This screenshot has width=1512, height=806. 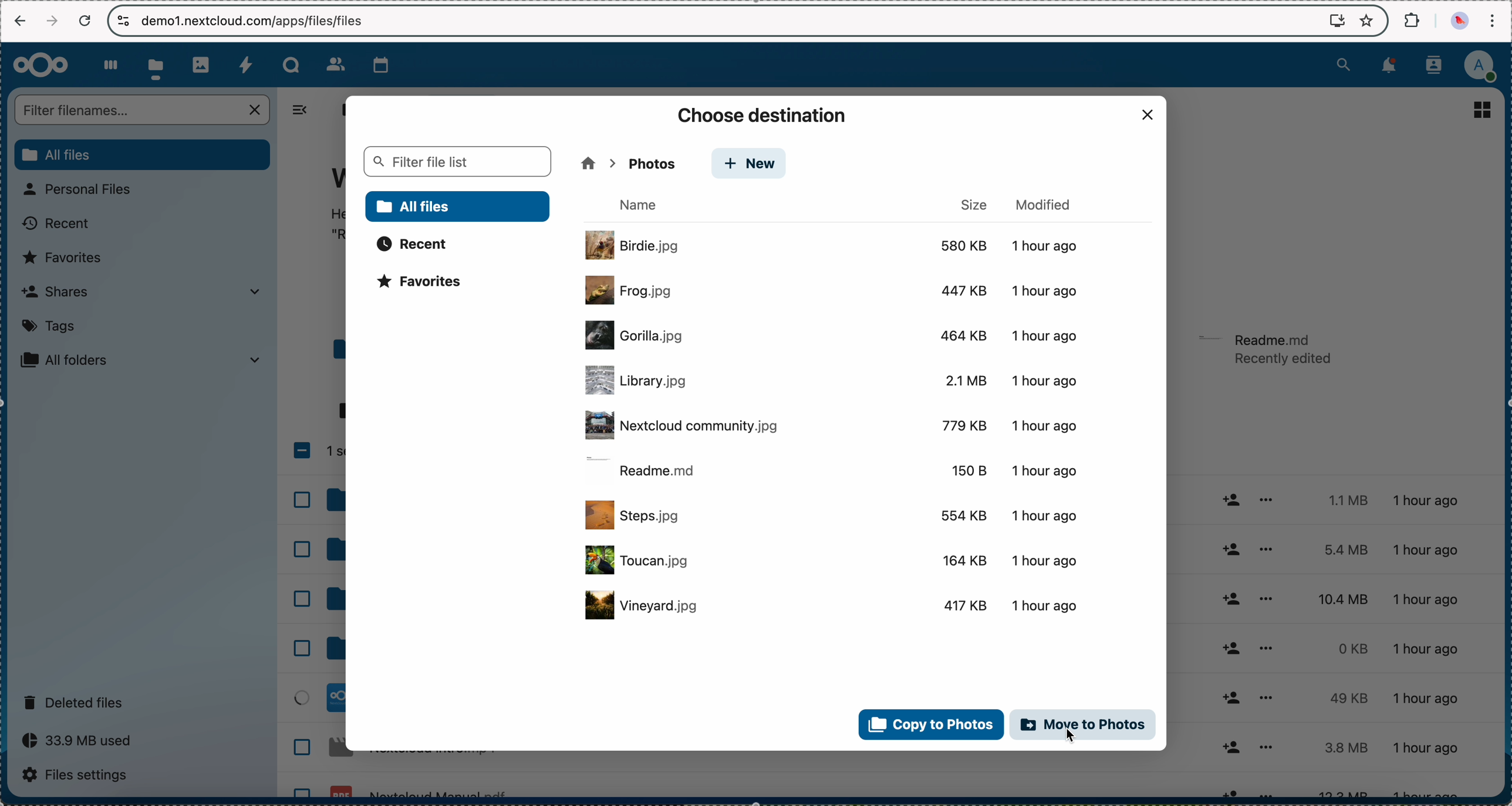 What do you see at coordinates (109, 63) in the screenshot?
I see `dashboard` at bounding box center [109, 63].